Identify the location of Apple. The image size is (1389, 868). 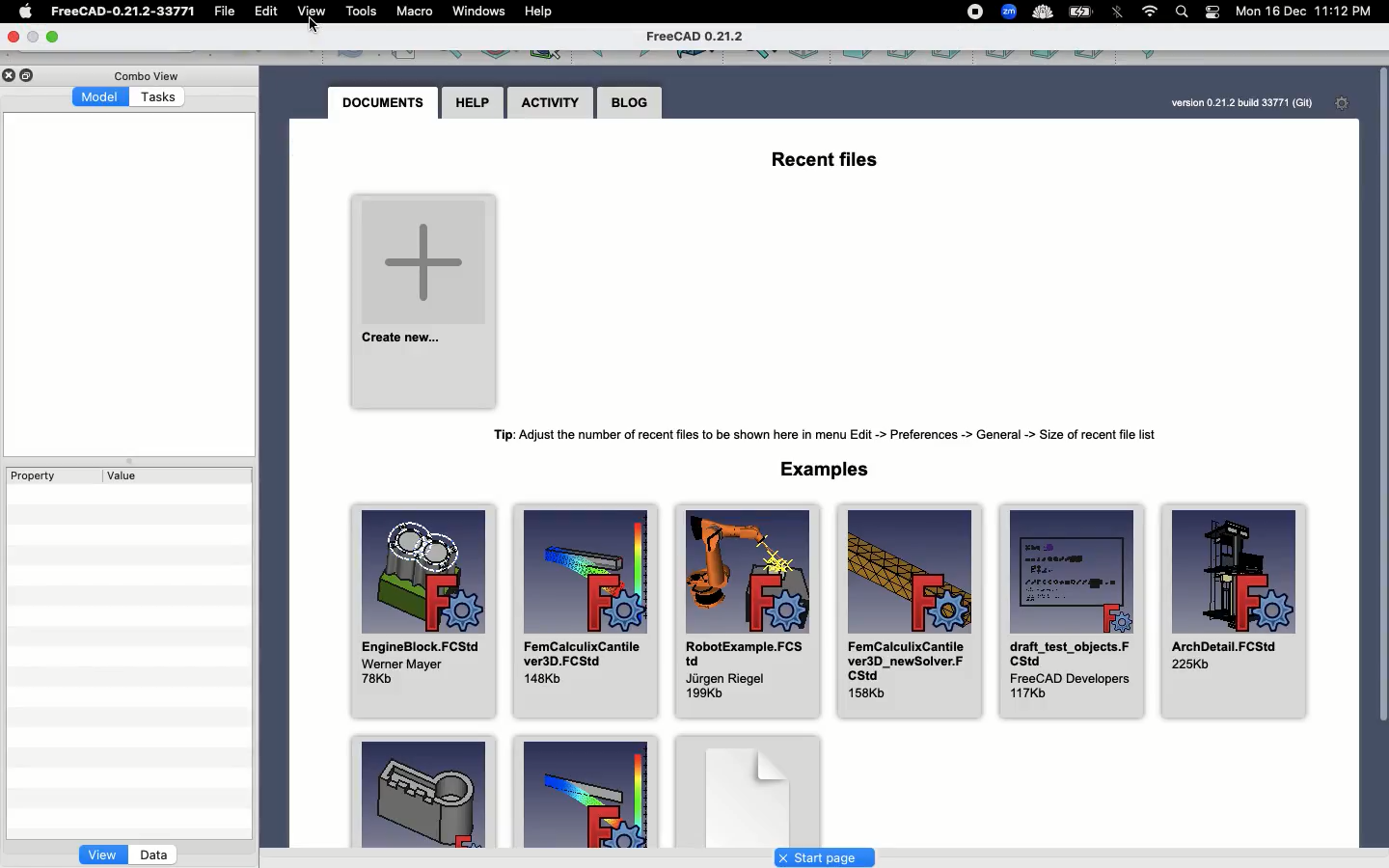
(29, 12).